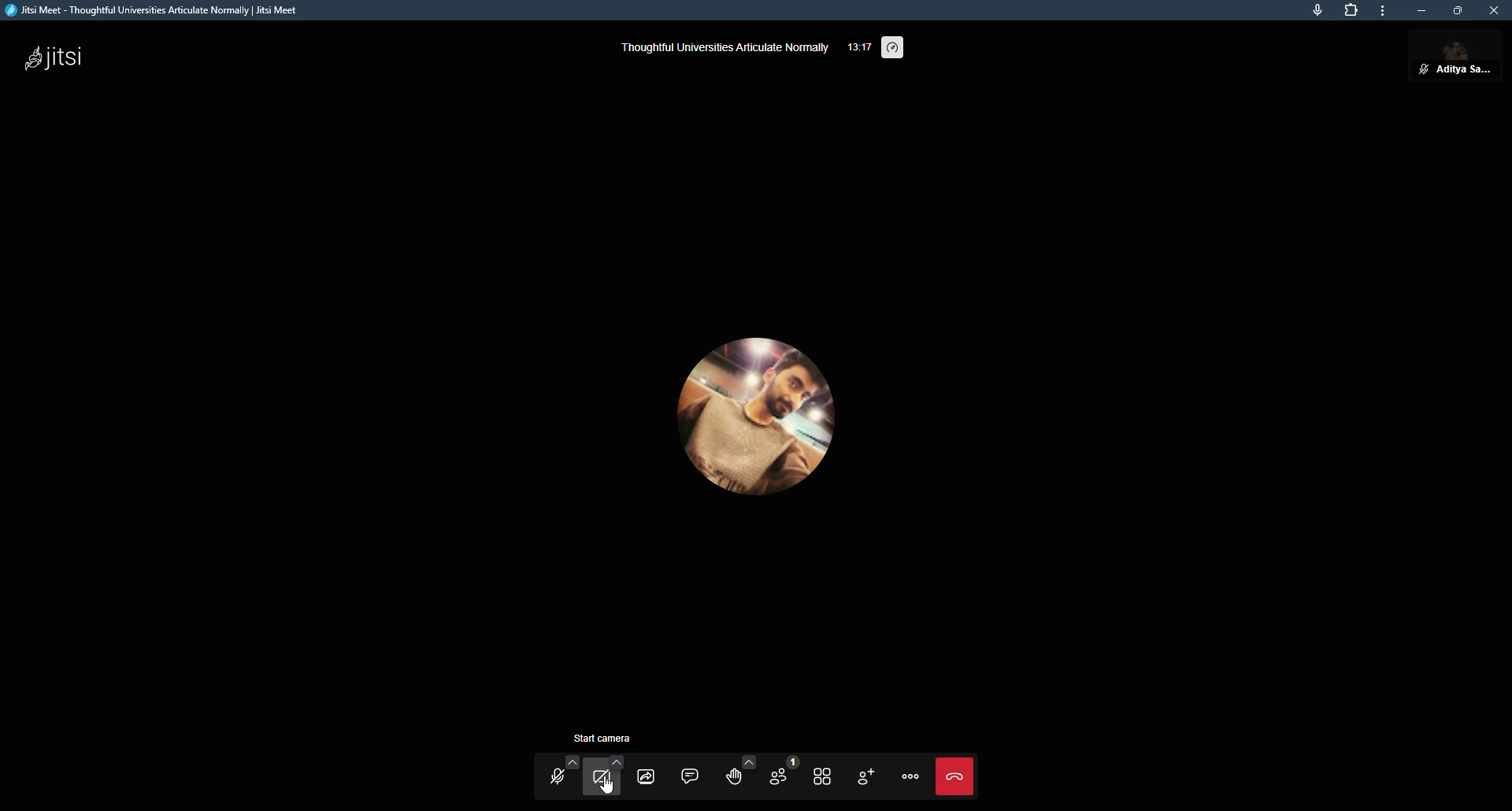 The image size is (1512, 811). I want to click on participants, so click(781, 774).